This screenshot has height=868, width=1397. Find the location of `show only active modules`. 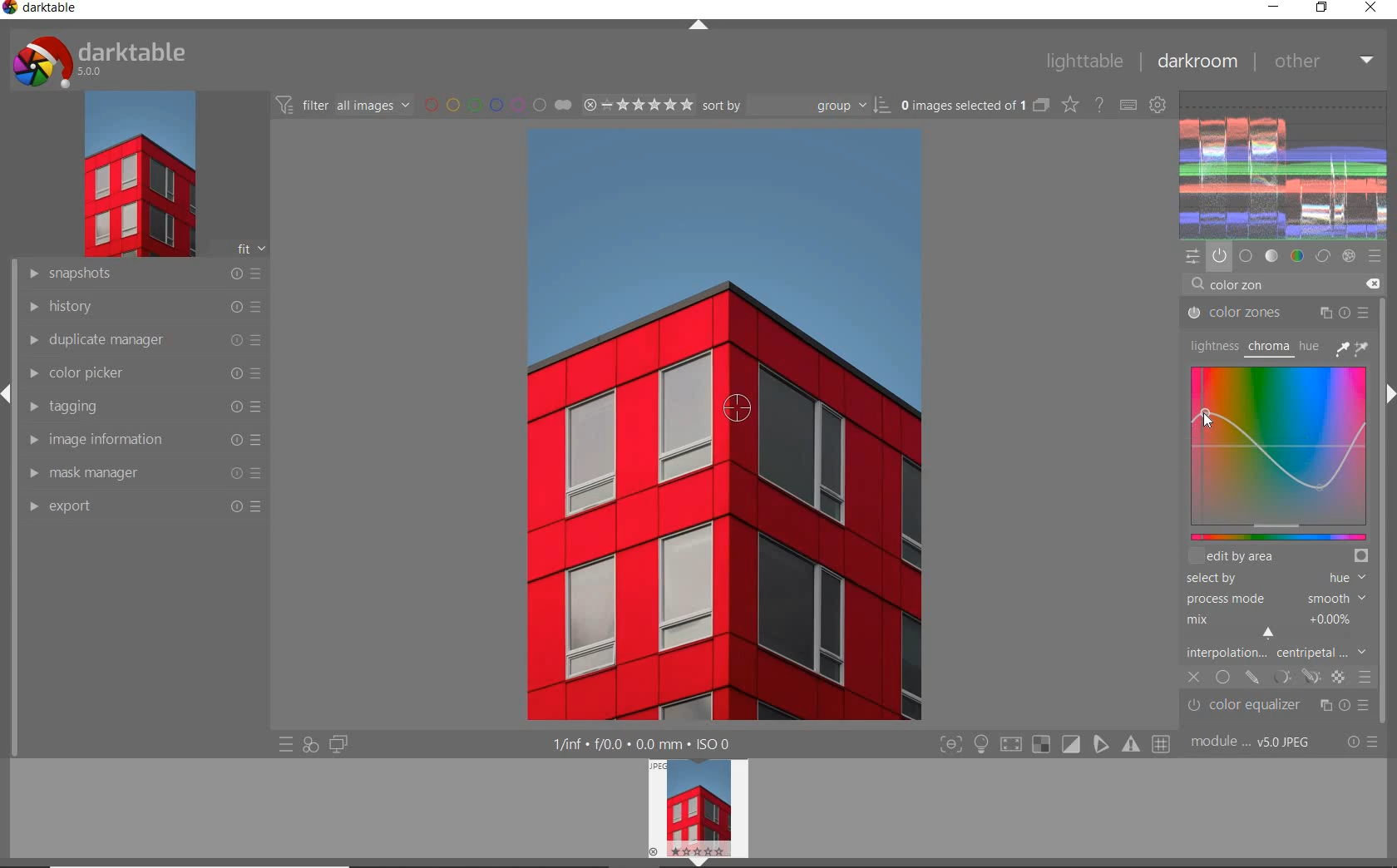

show only active modules is located at coordinates (1219, 255).